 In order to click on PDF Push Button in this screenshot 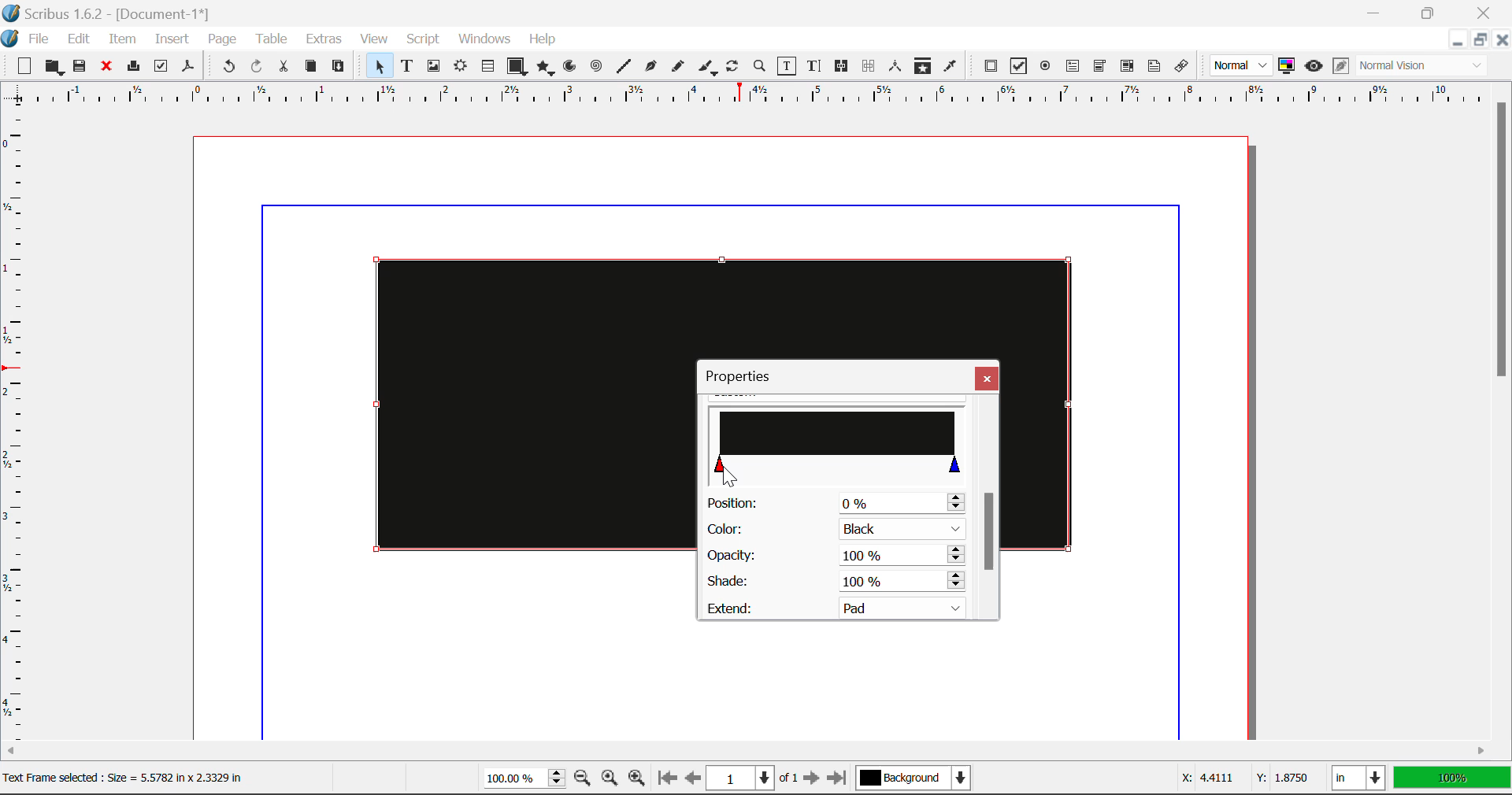, I will do `click(991, 65)`.